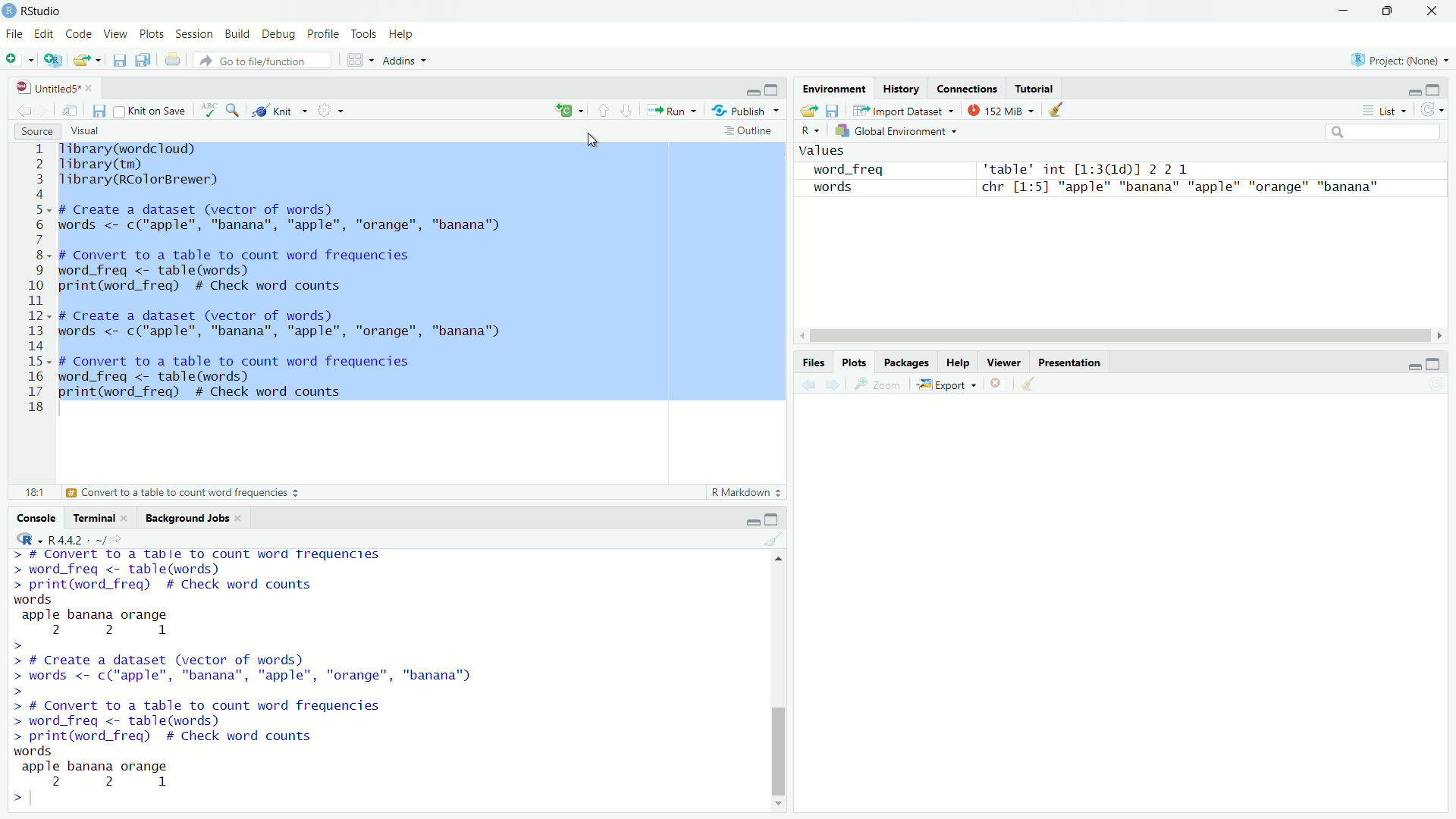 Image resolution: width=1456 pixels, height=819 pixels. What do you see at coordinates (572, 111) in the screenshot?
I see `create file` at bounding box center [572, 111].